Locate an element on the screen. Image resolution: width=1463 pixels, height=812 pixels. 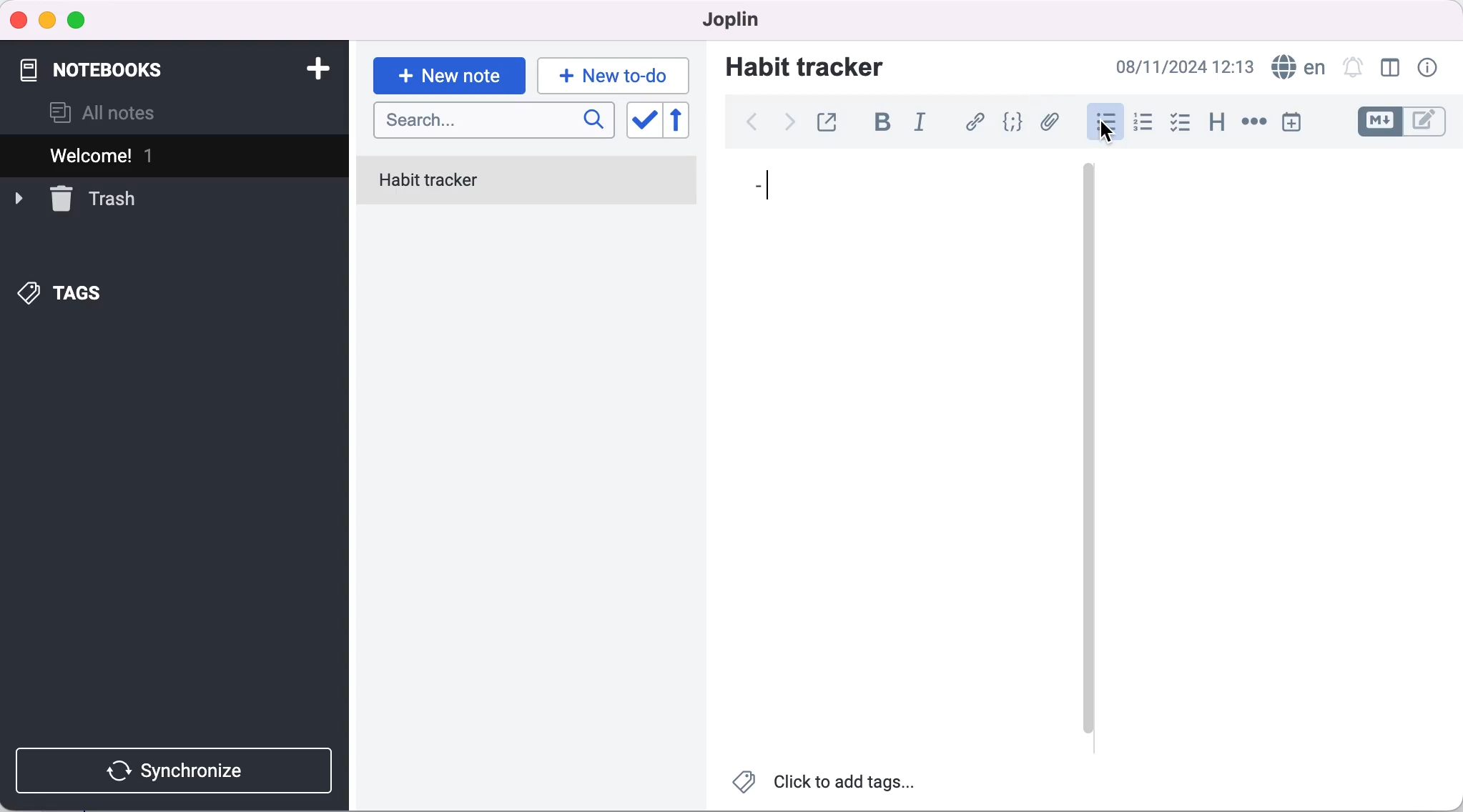
habit tracker is located at coordinates (804, 66).